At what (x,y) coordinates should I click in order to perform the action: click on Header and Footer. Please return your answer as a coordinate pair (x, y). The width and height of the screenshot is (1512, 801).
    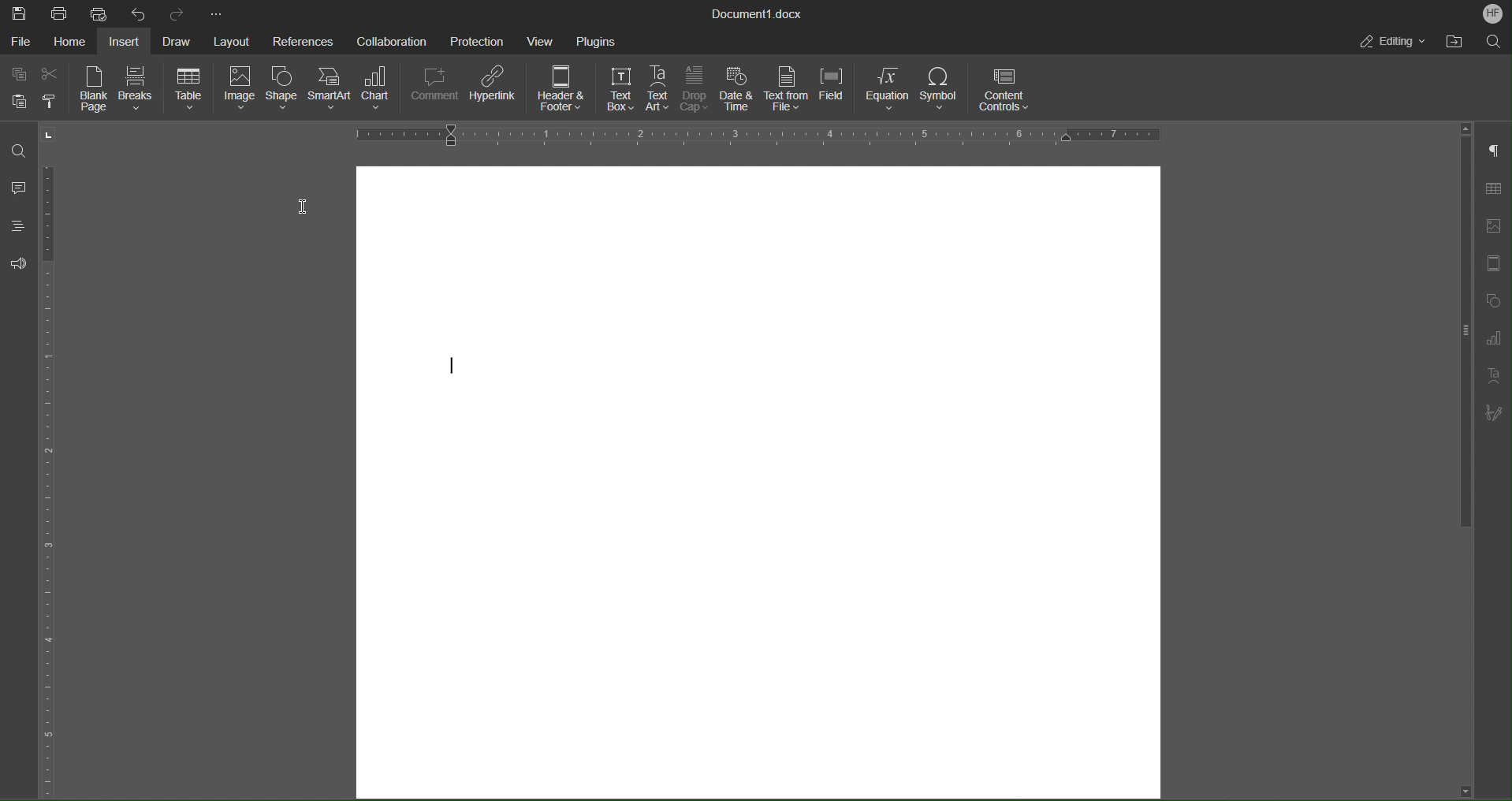
    Looking at the image, I should click on (564, 89).